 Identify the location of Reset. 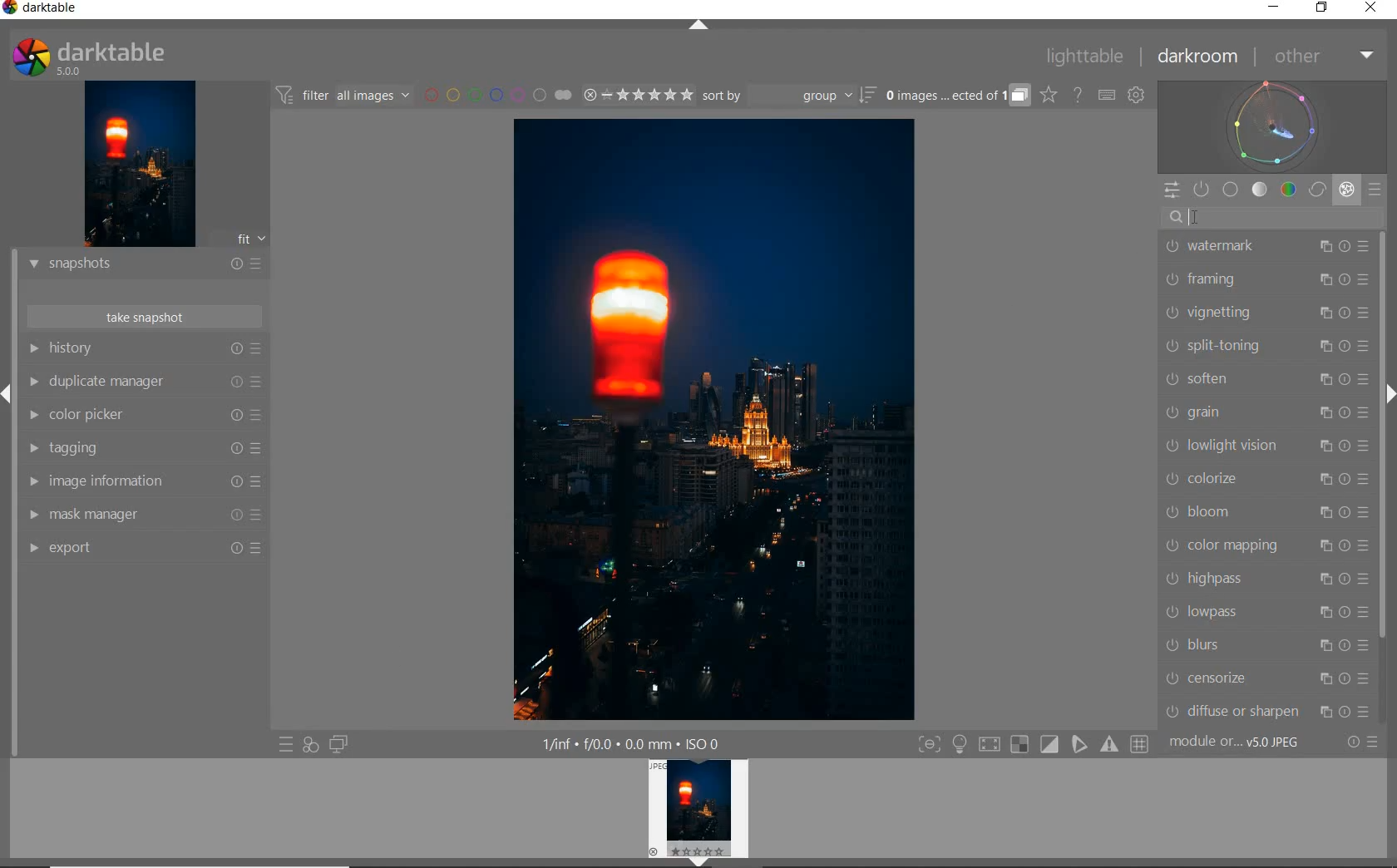
(234, 417).